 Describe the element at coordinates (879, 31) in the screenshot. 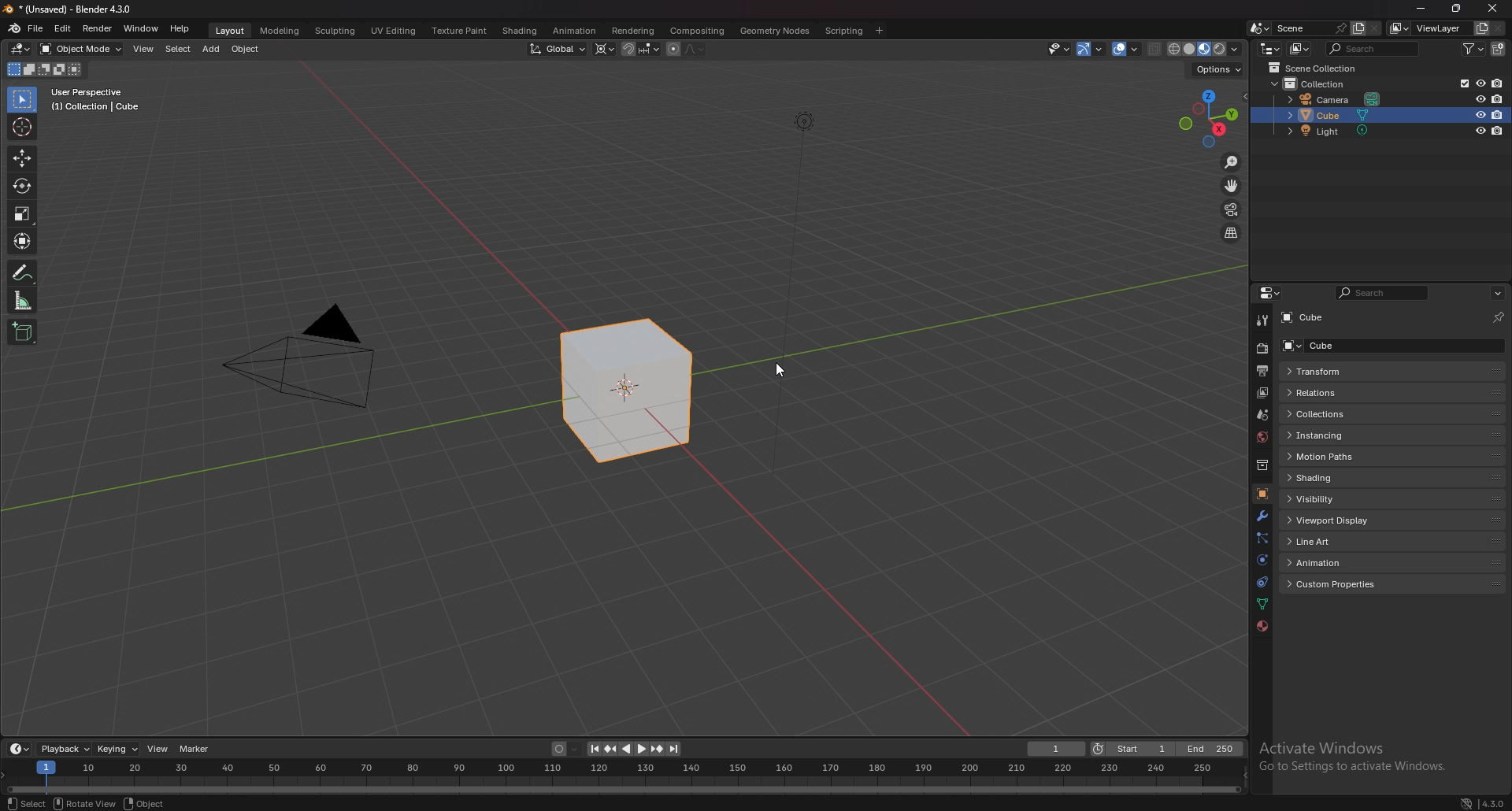

I see `add workspace` at that location.